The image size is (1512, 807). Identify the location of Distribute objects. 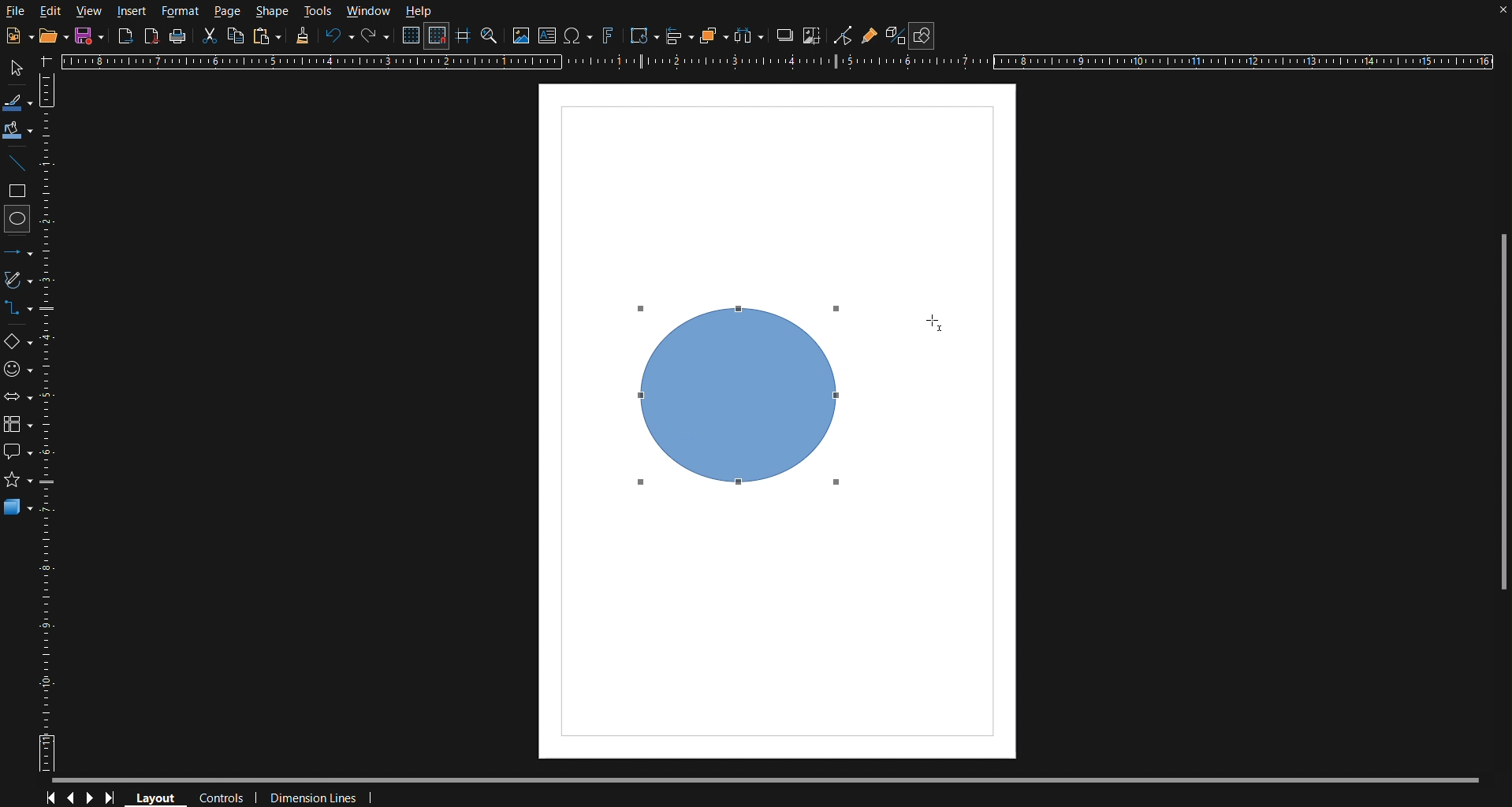
(754, 37).